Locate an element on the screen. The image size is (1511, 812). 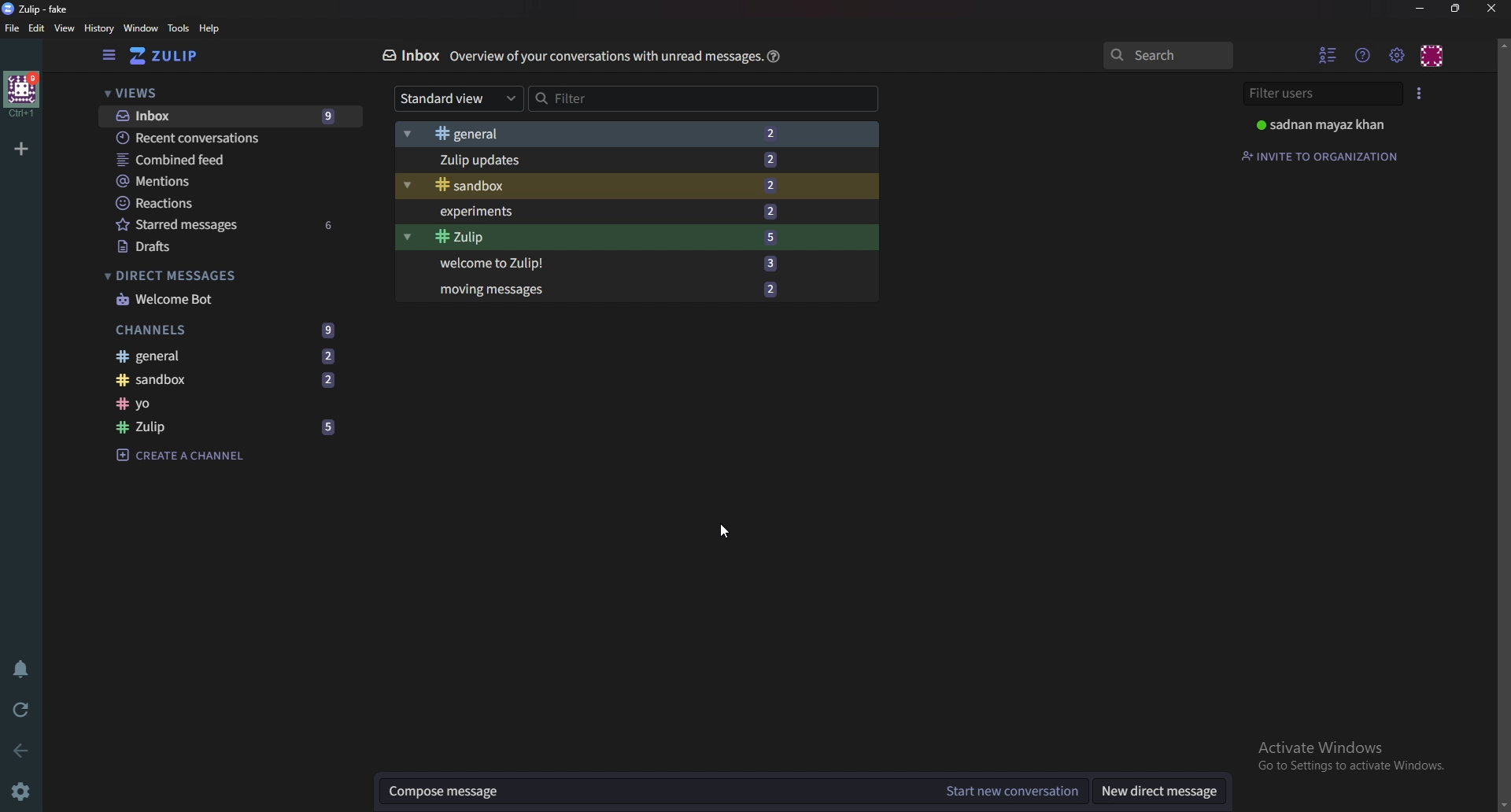
Zulip is located at coordinates (231, 427).